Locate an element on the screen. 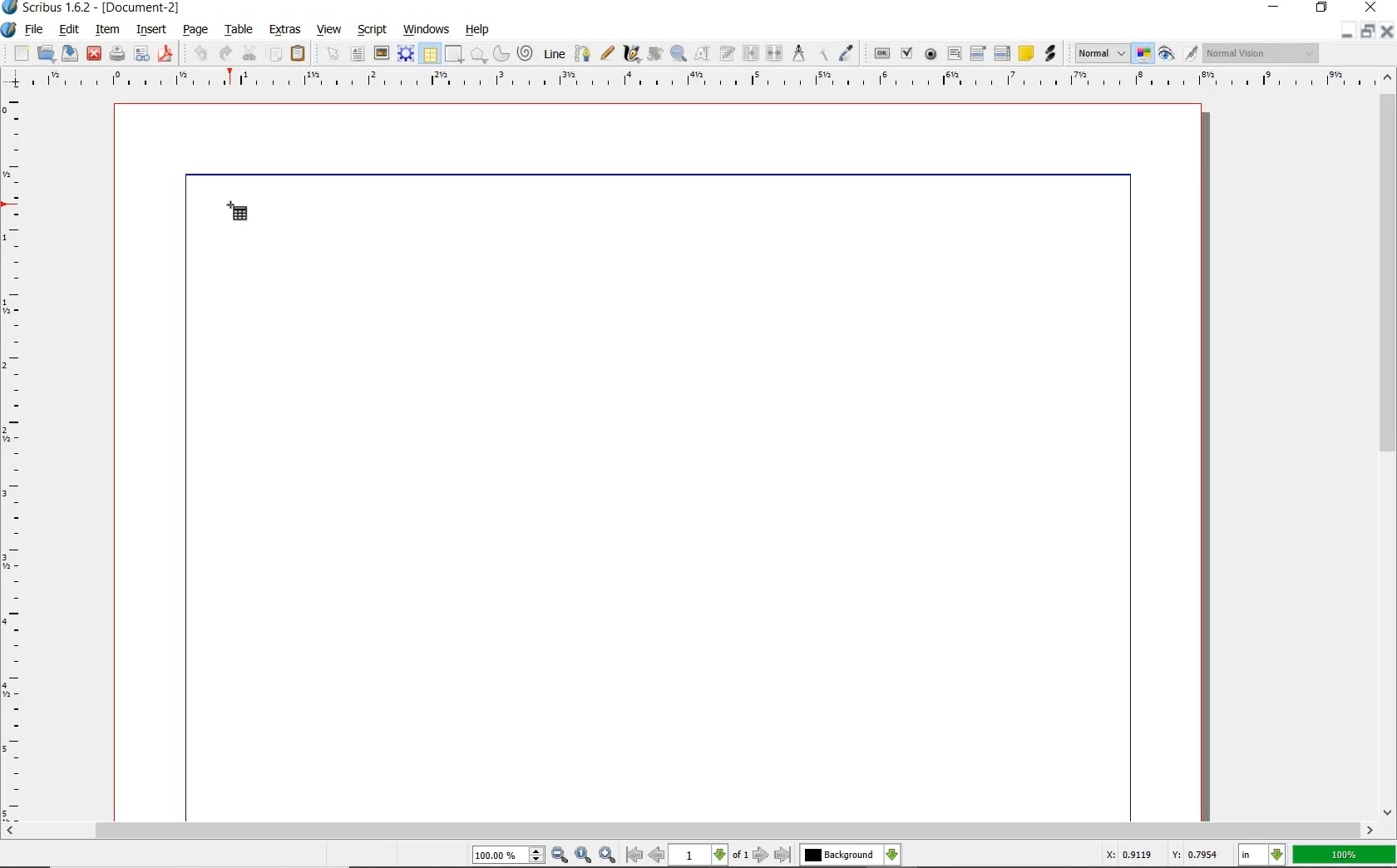  copy is located at coordinates (275, 55).